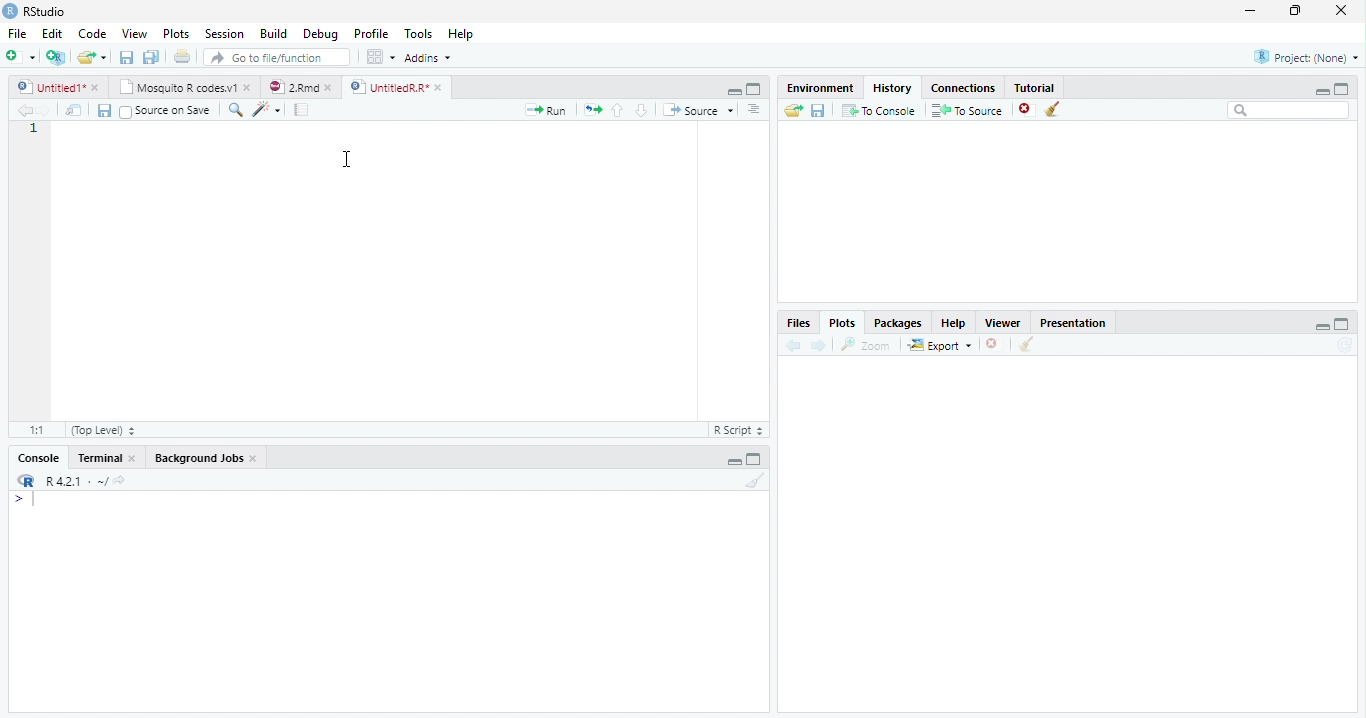  Describe the element at coordinates (321, 33) in the screenshot. I see `Debug` at that location.